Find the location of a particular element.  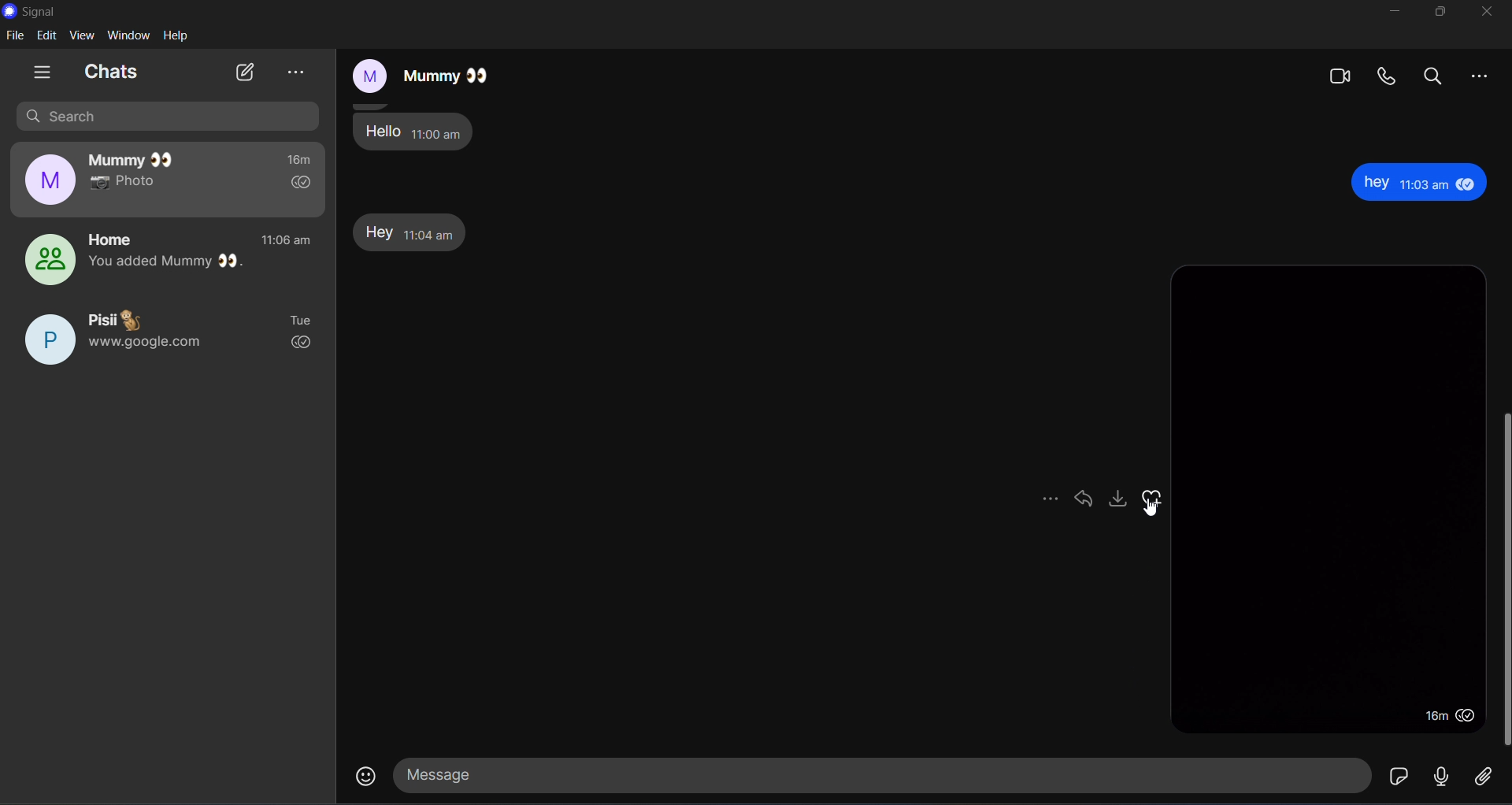

emojis is located at coordinates (1156, 496).